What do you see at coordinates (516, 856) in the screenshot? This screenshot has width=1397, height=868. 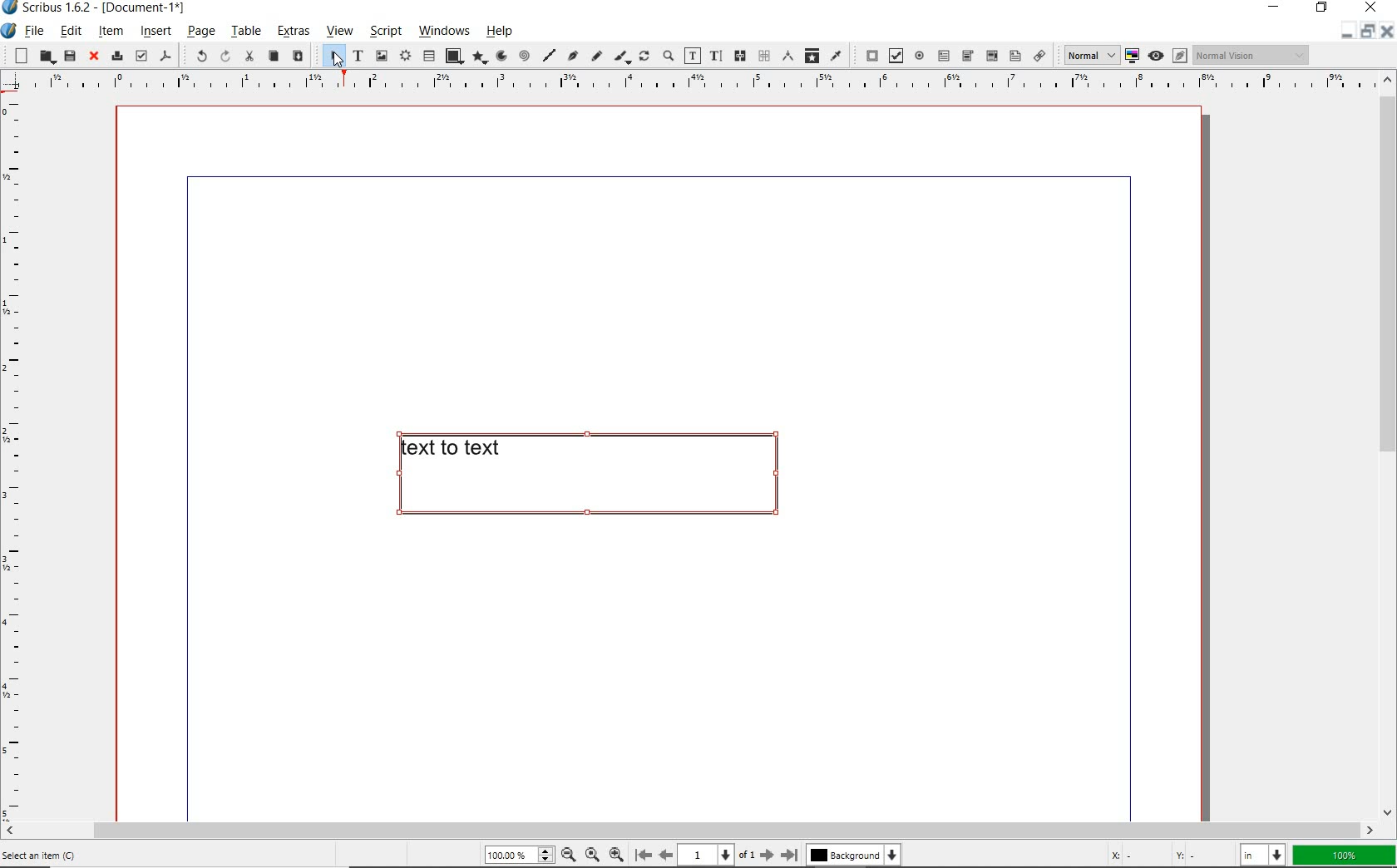 I see `100%` at bounding box center [516, 856].